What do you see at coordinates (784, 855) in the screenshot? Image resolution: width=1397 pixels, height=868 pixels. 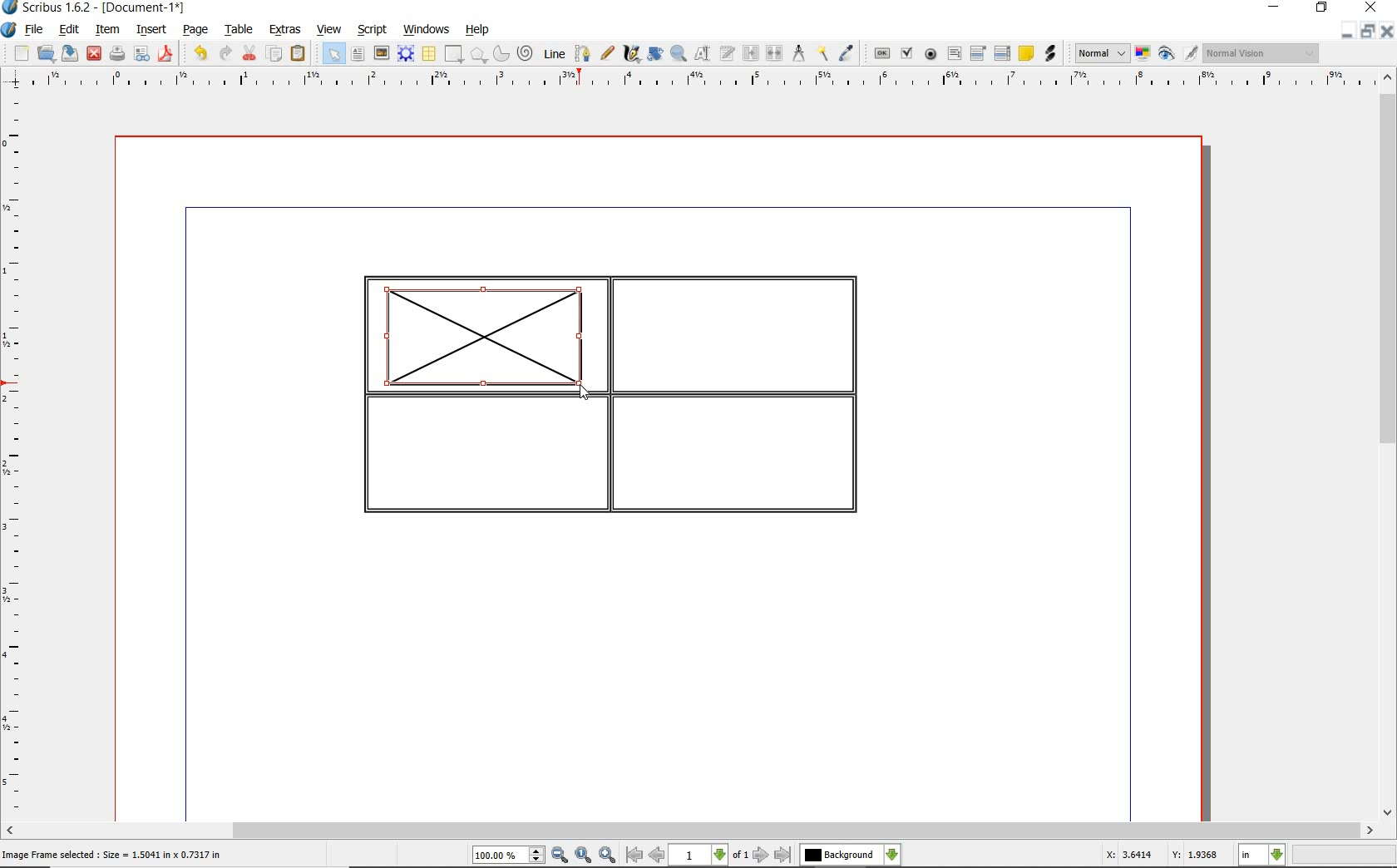 I see `go to last page` at bounding box center [784, 855].